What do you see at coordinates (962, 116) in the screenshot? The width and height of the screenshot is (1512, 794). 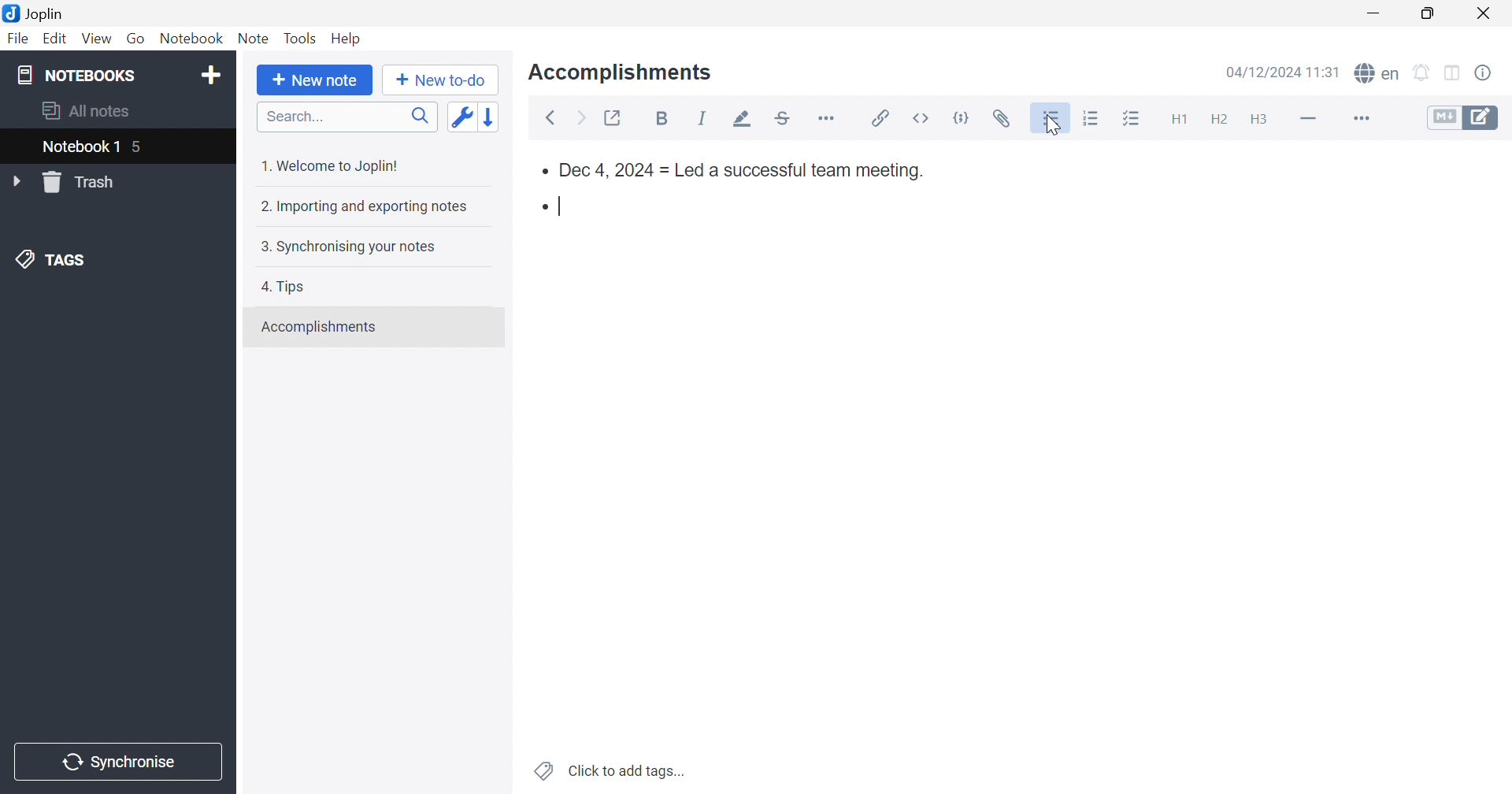 I see `code` at bounding box center [962, 116].